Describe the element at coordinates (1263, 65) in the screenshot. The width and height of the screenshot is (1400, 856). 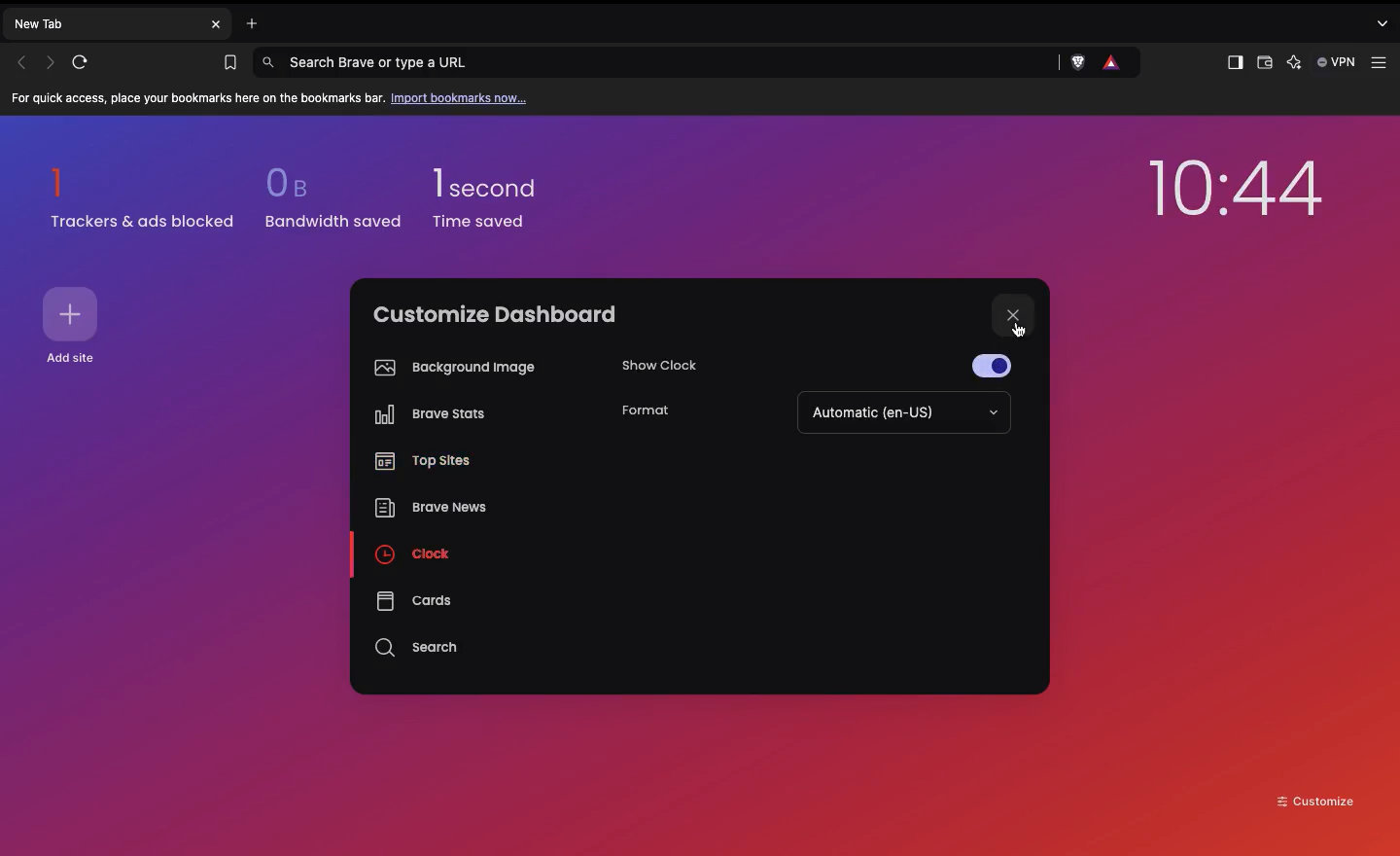
I see `Wallet` at that location.